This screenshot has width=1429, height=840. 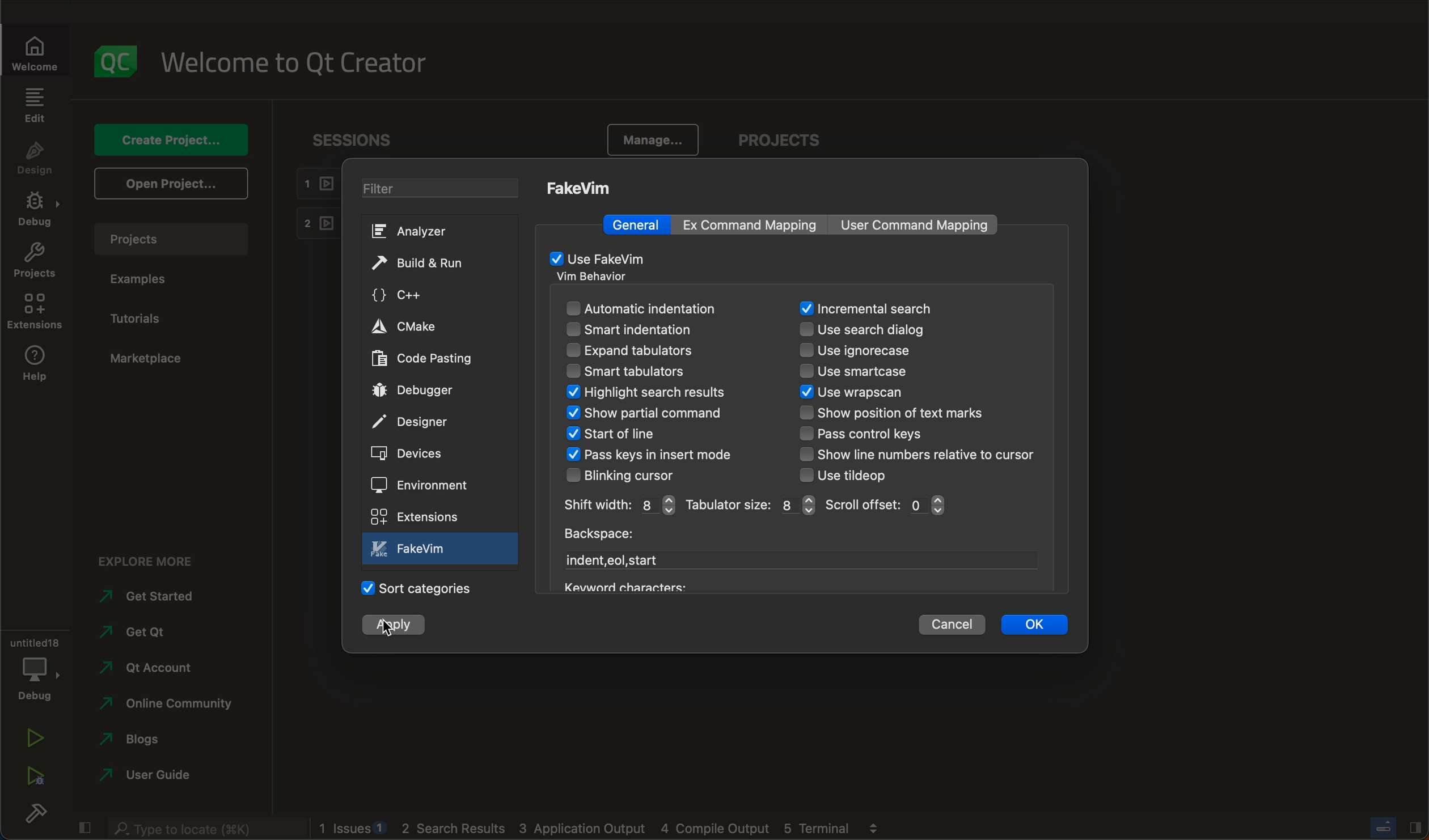 What do you see at coordinates (83, 829) in the screenshot?
I see `close slide bar` at bounding box center [83, 829].